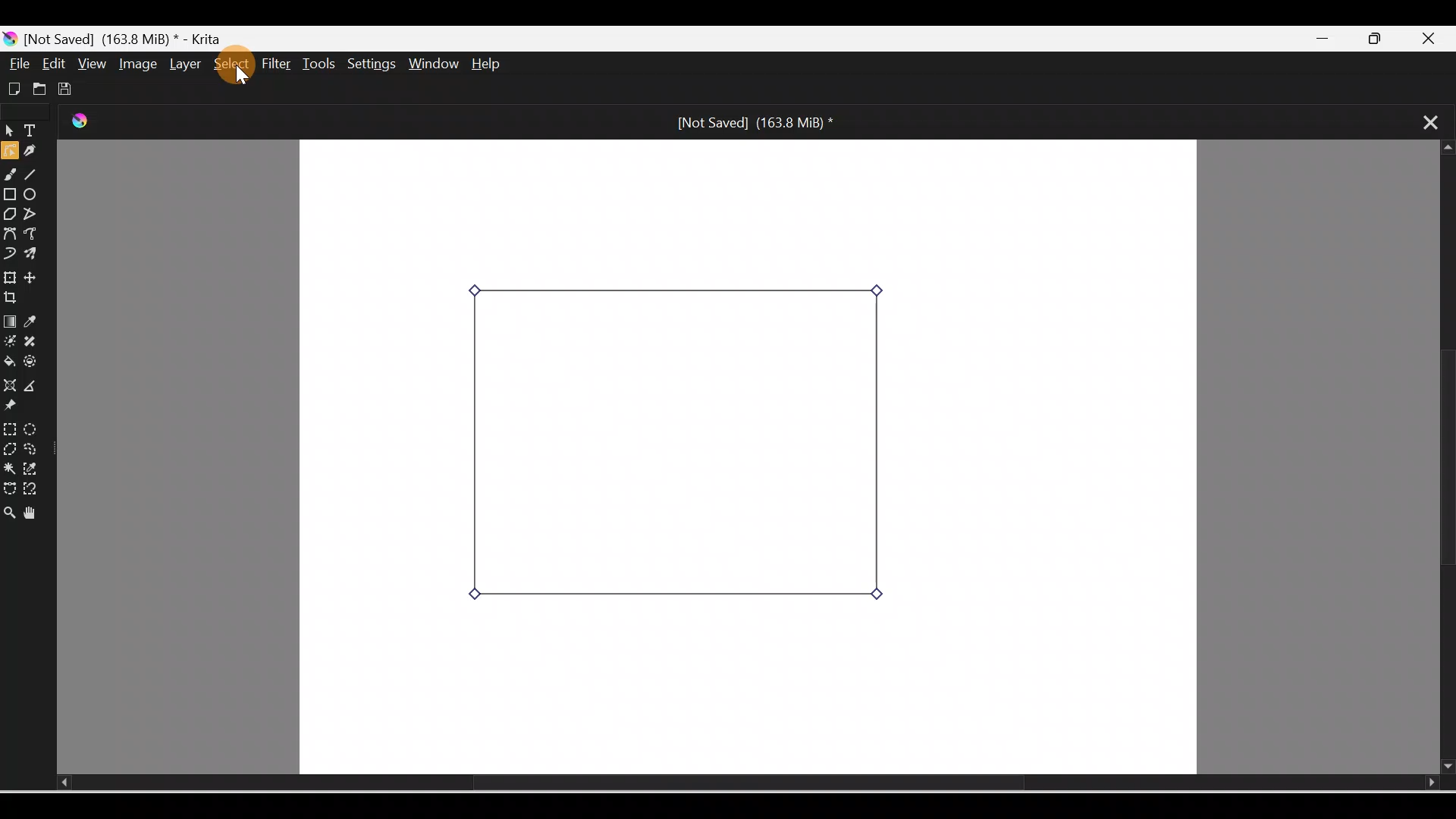 This screenshot has height=819, width=1456. I want to click on Contiguous selection tool, so click(9, 467).